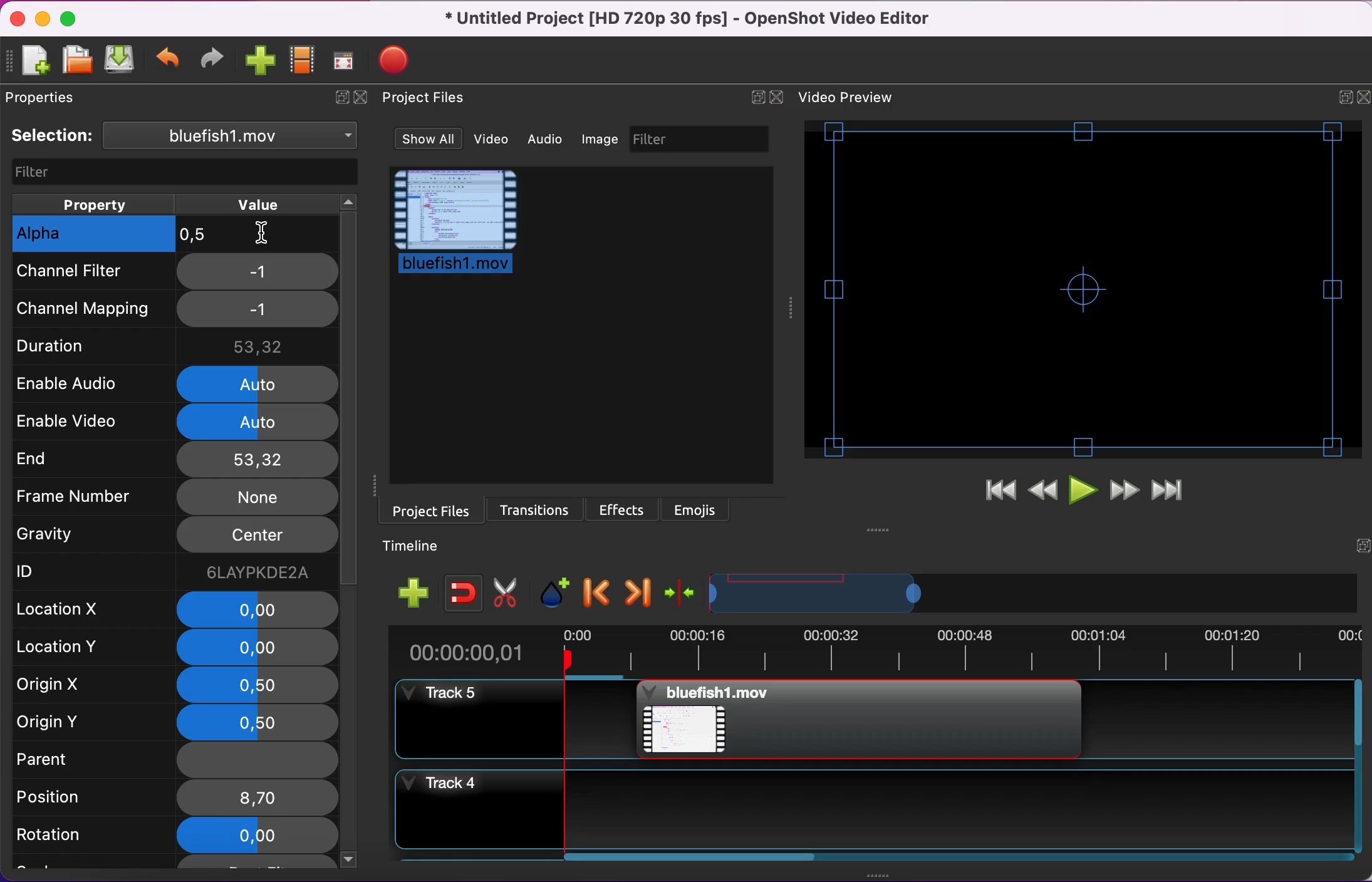 The height and width of the screenshot is (882, 1372). What do you see at coordinates (872, 809) in the screenshot?
I see `track 4` at bounding box center [872, 809].